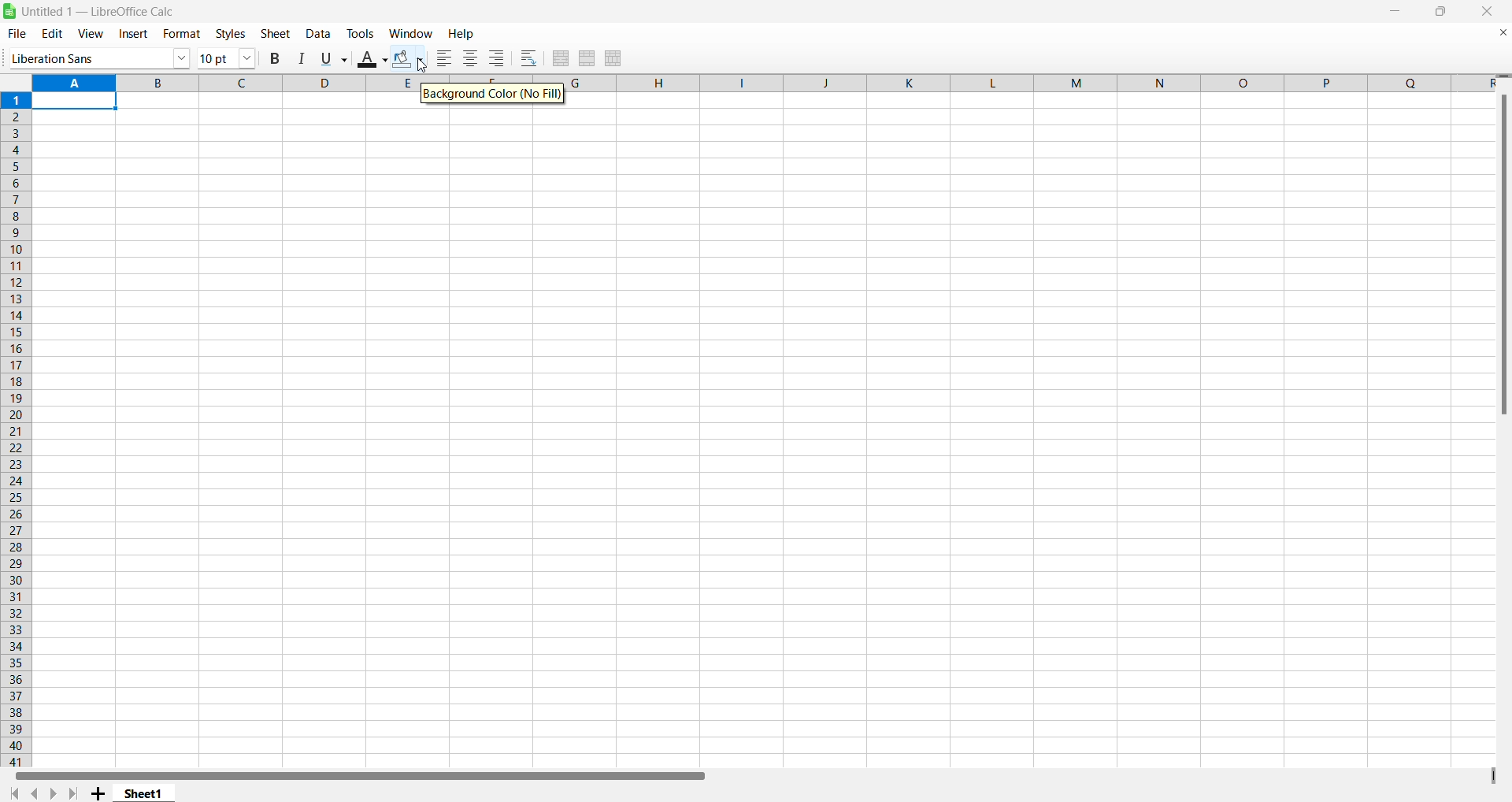 This screenshot has height=802, width=1512. Describe the element at coordinates (12, 12) in the screenshot. I see `logo` at that location.